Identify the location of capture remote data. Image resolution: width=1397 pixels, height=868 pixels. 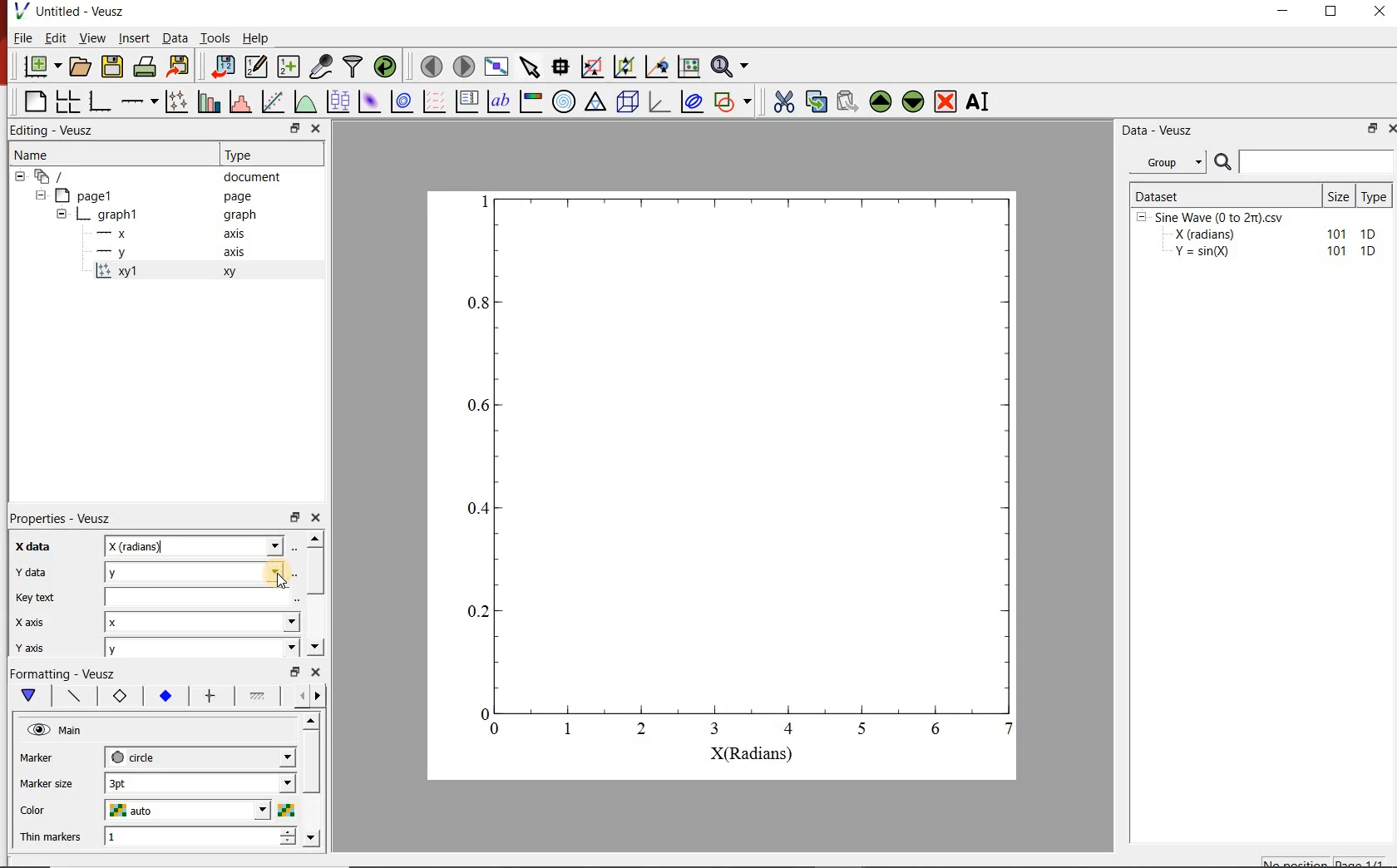
(323, 67).